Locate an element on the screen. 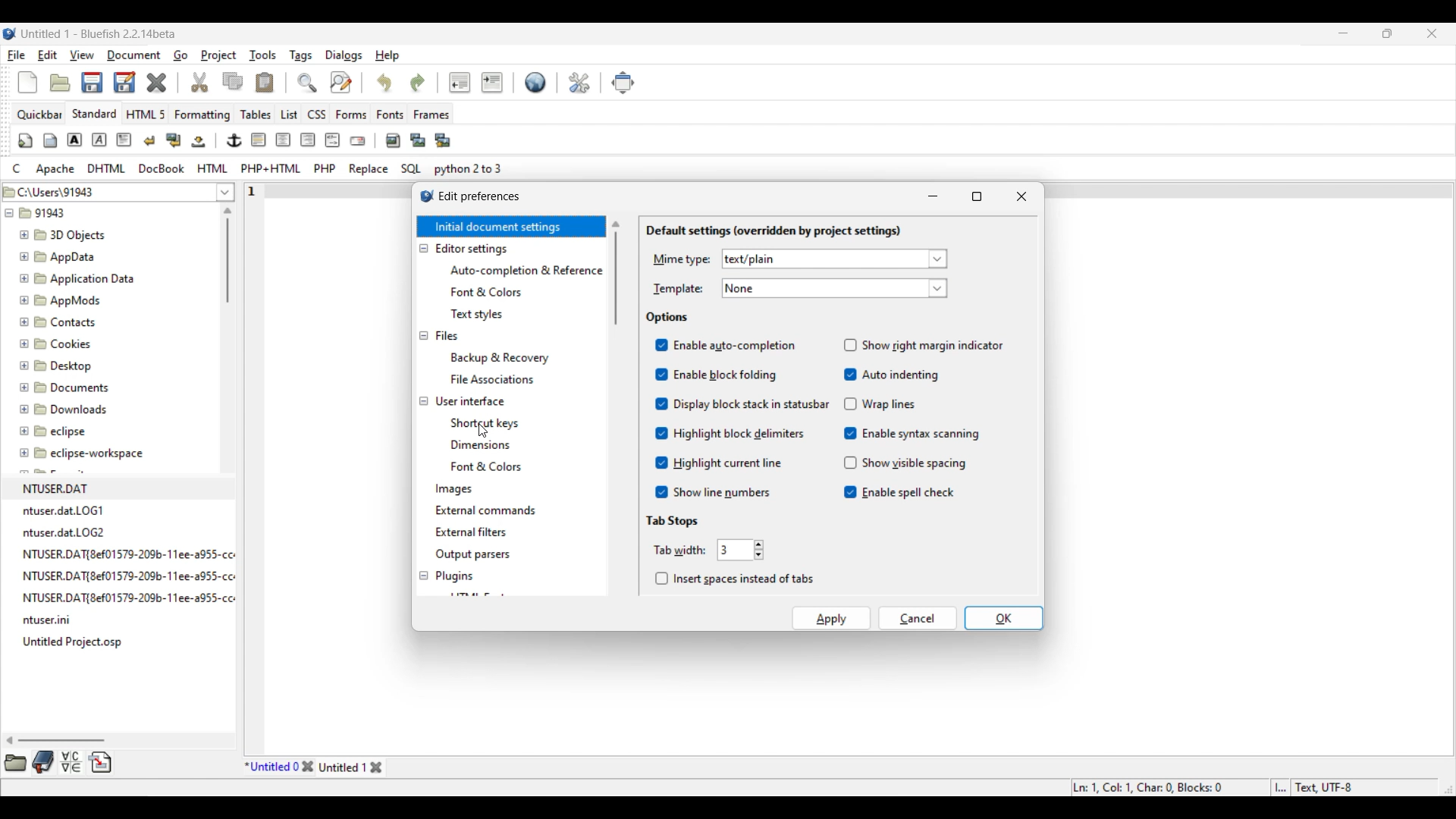 The width and height of the screenshot is (1456, 819). Highlight block delimiters is located at coordinates (730, 433).